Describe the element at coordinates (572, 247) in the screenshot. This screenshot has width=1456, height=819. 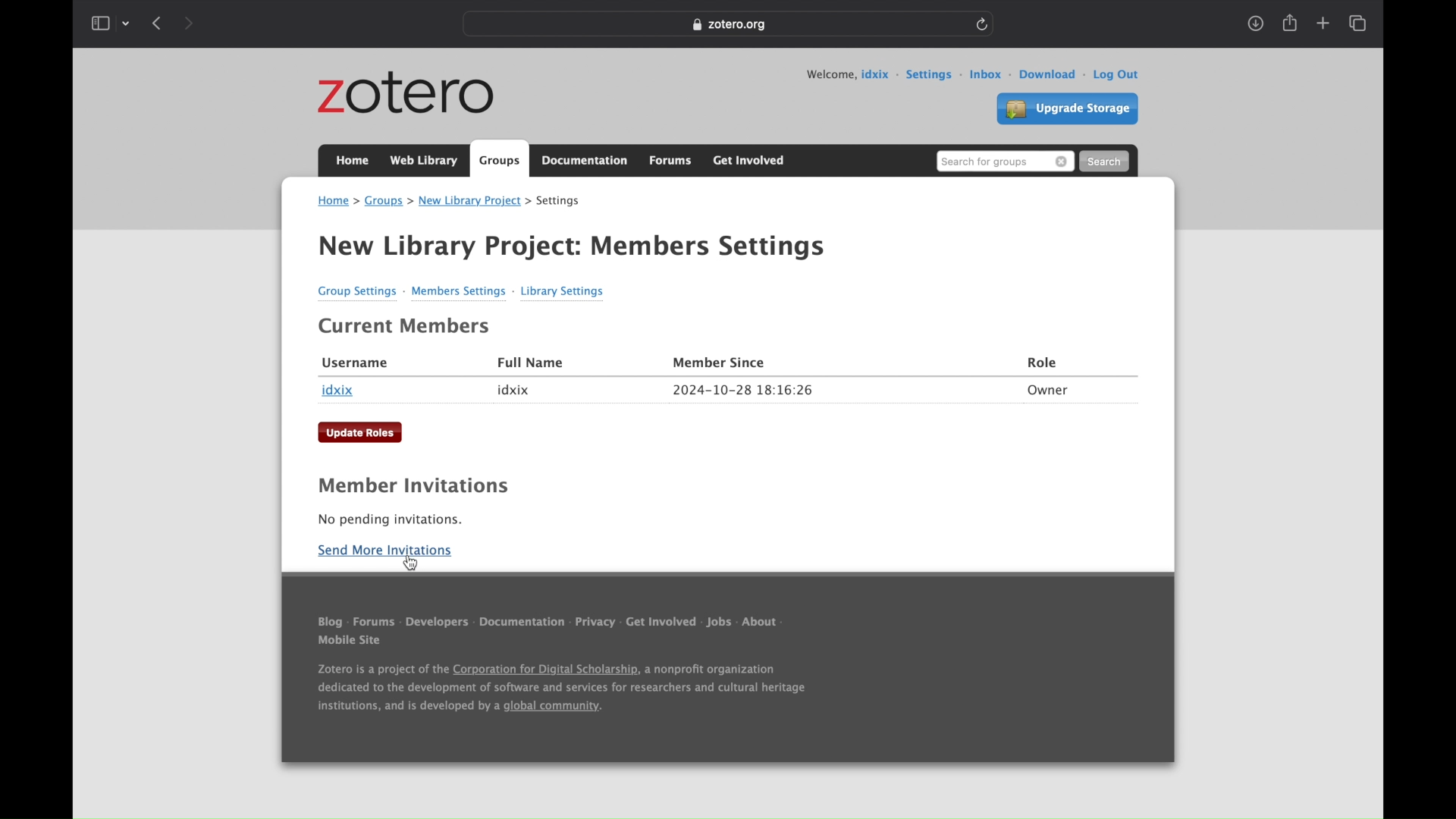
I see `new library project settings` at that location.